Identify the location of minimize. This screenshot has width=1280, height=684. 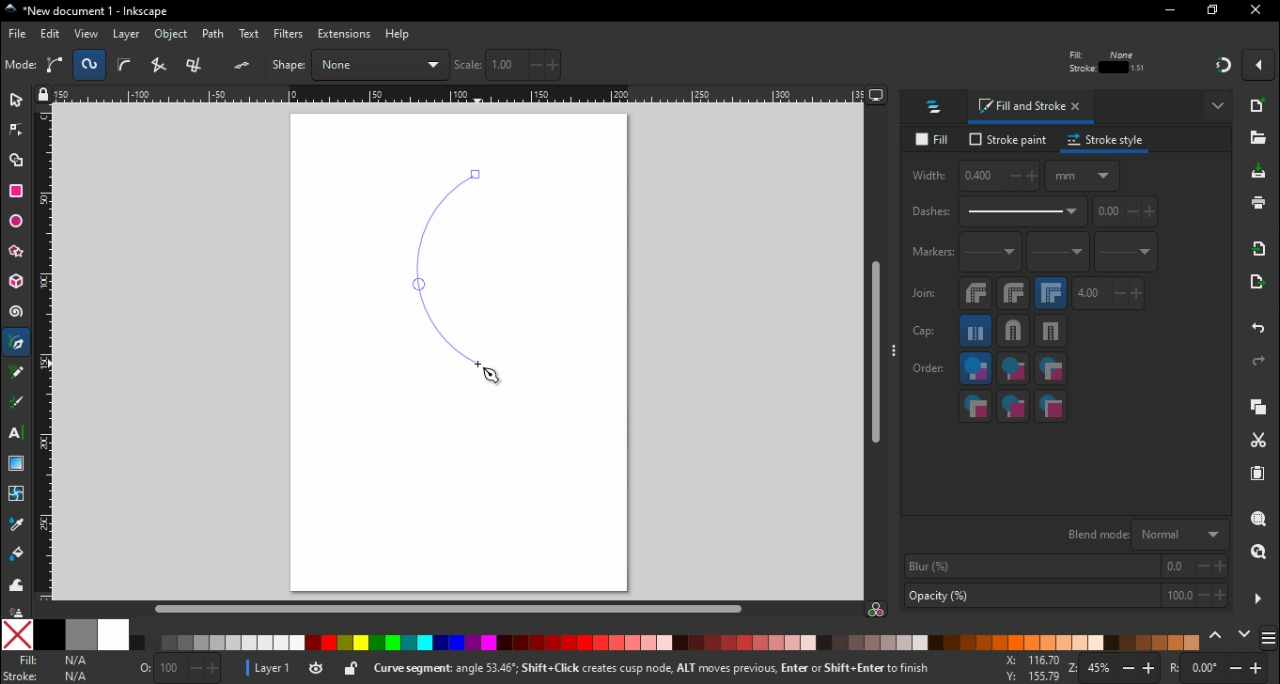
(1169, 11).